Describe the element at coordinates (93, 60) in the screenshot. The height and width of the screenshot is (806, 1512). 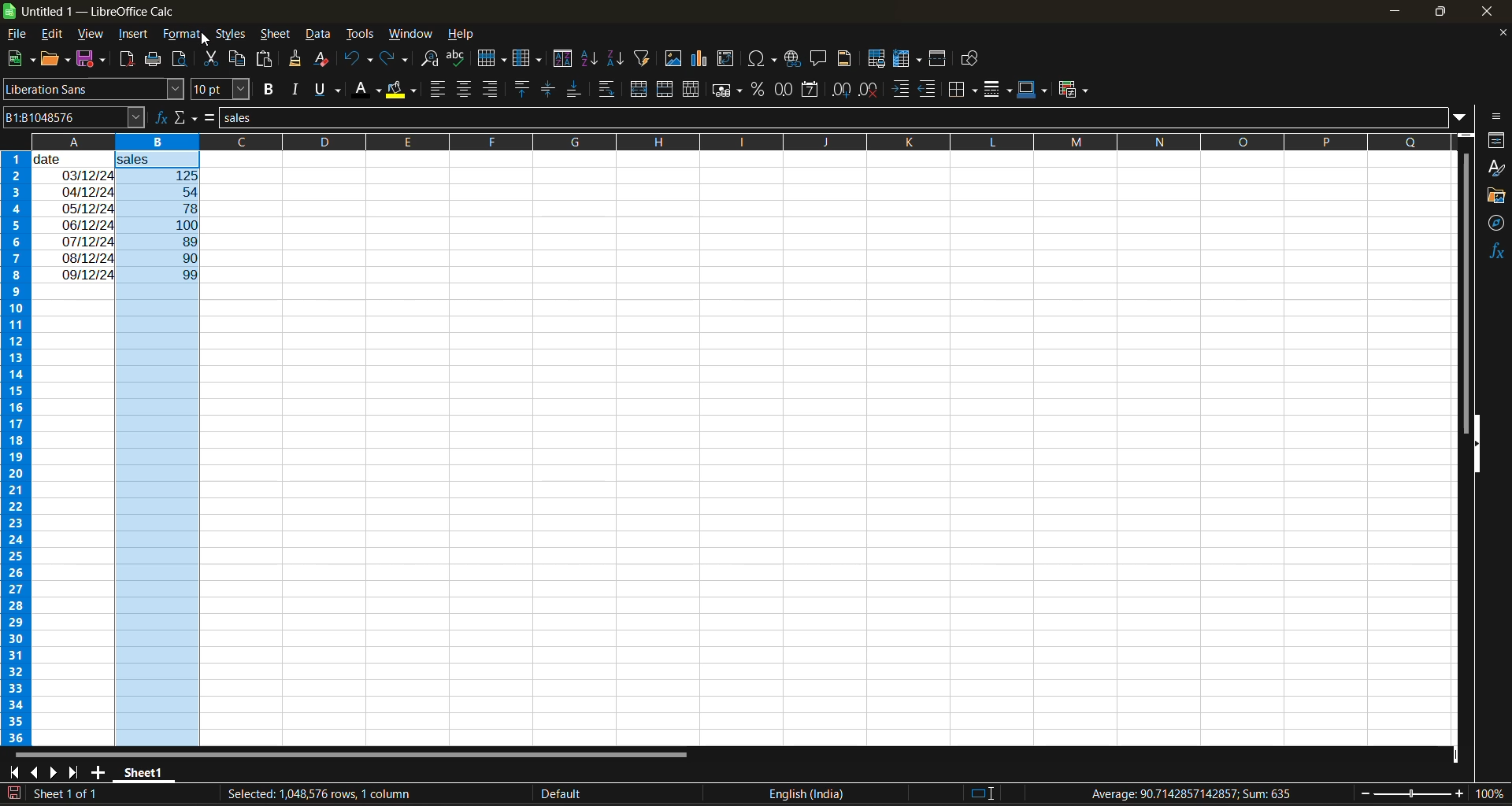
I see `save` at that location.